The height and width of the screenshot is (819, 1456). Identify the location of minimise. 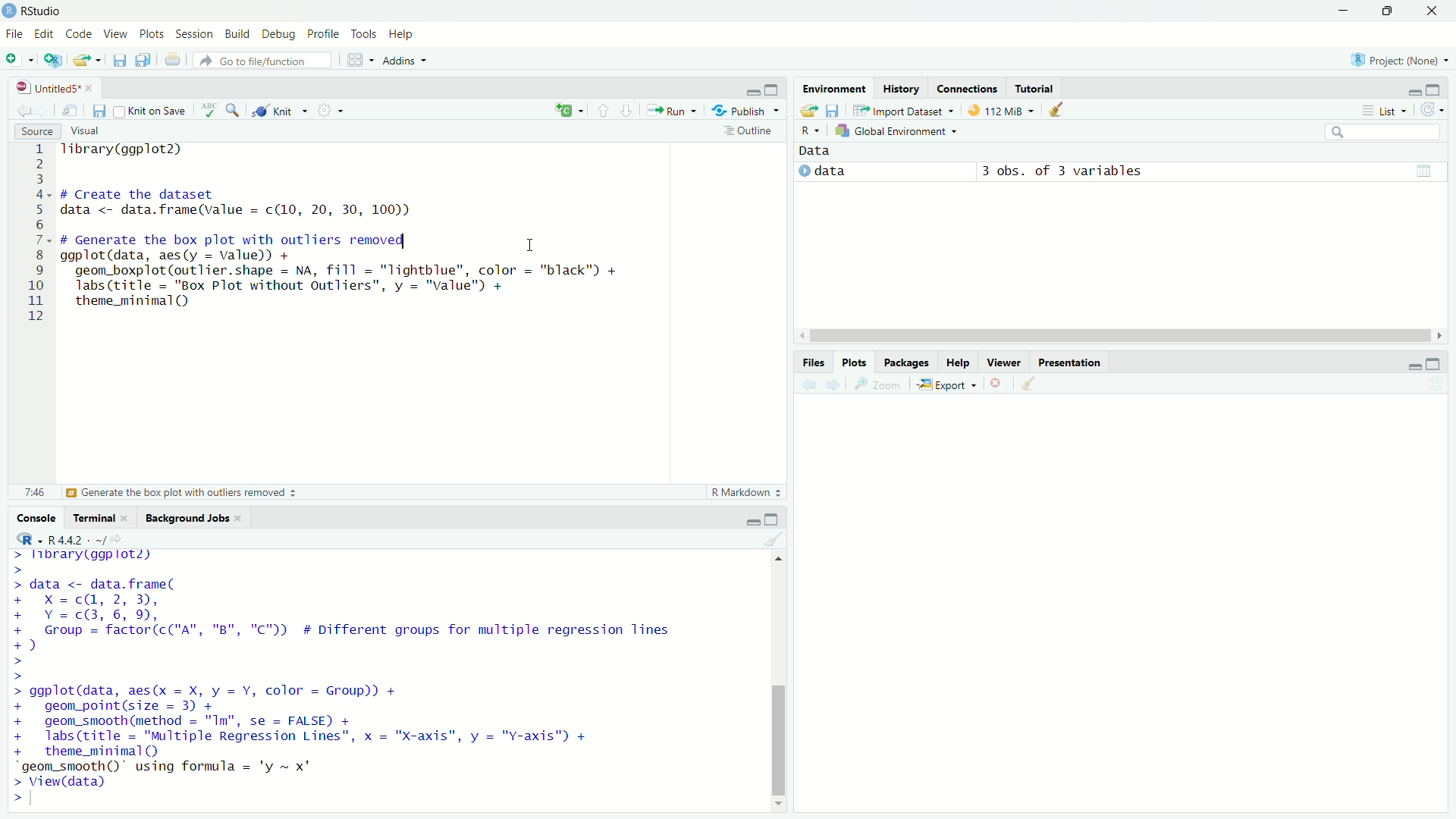
(1326, 12).